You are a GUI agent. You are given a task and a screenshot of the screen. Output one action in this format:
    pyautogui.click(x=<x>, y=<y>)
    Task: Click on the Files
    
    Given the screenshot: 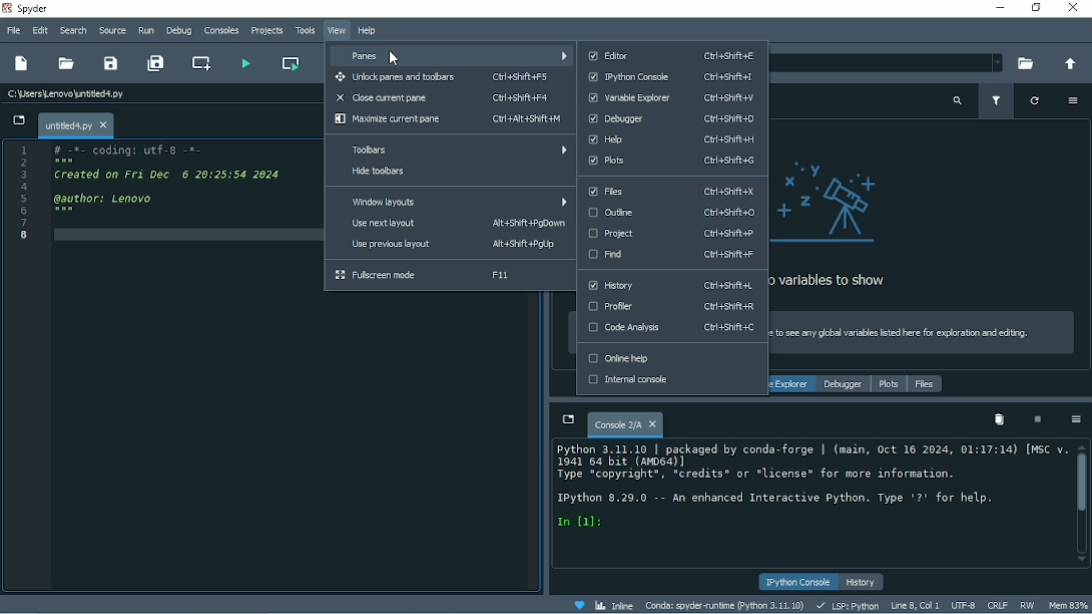 What is the action you would take?
    pyautogui.click(x=670, y=191)
    